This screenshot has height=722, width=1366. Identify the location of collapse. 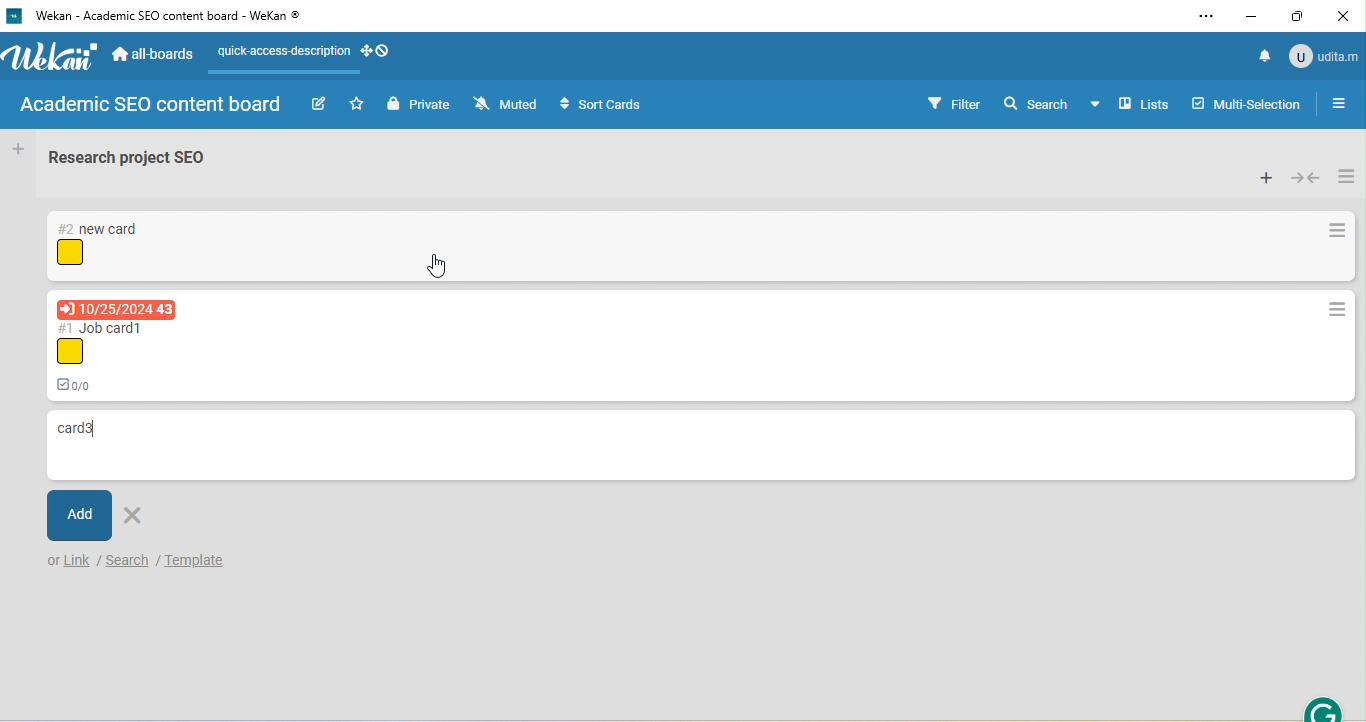
(1306, 178).